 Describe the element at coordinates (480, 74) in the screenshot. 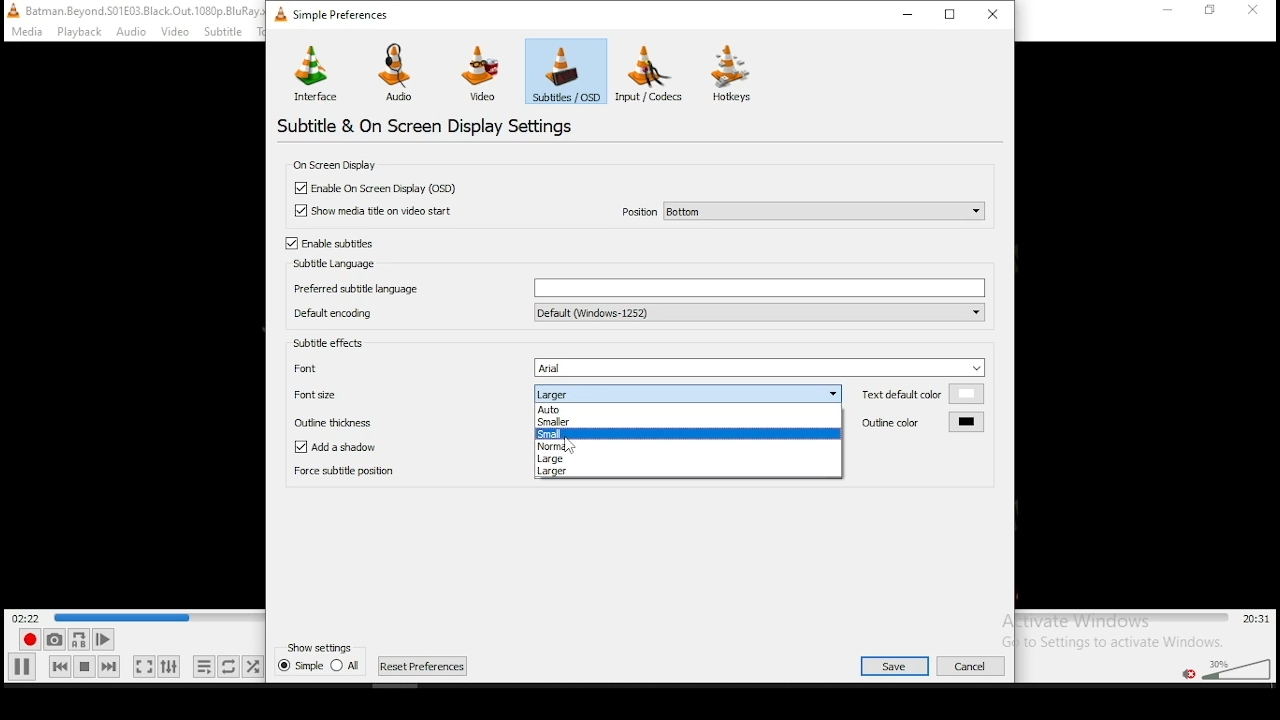

I see `video` at that location.